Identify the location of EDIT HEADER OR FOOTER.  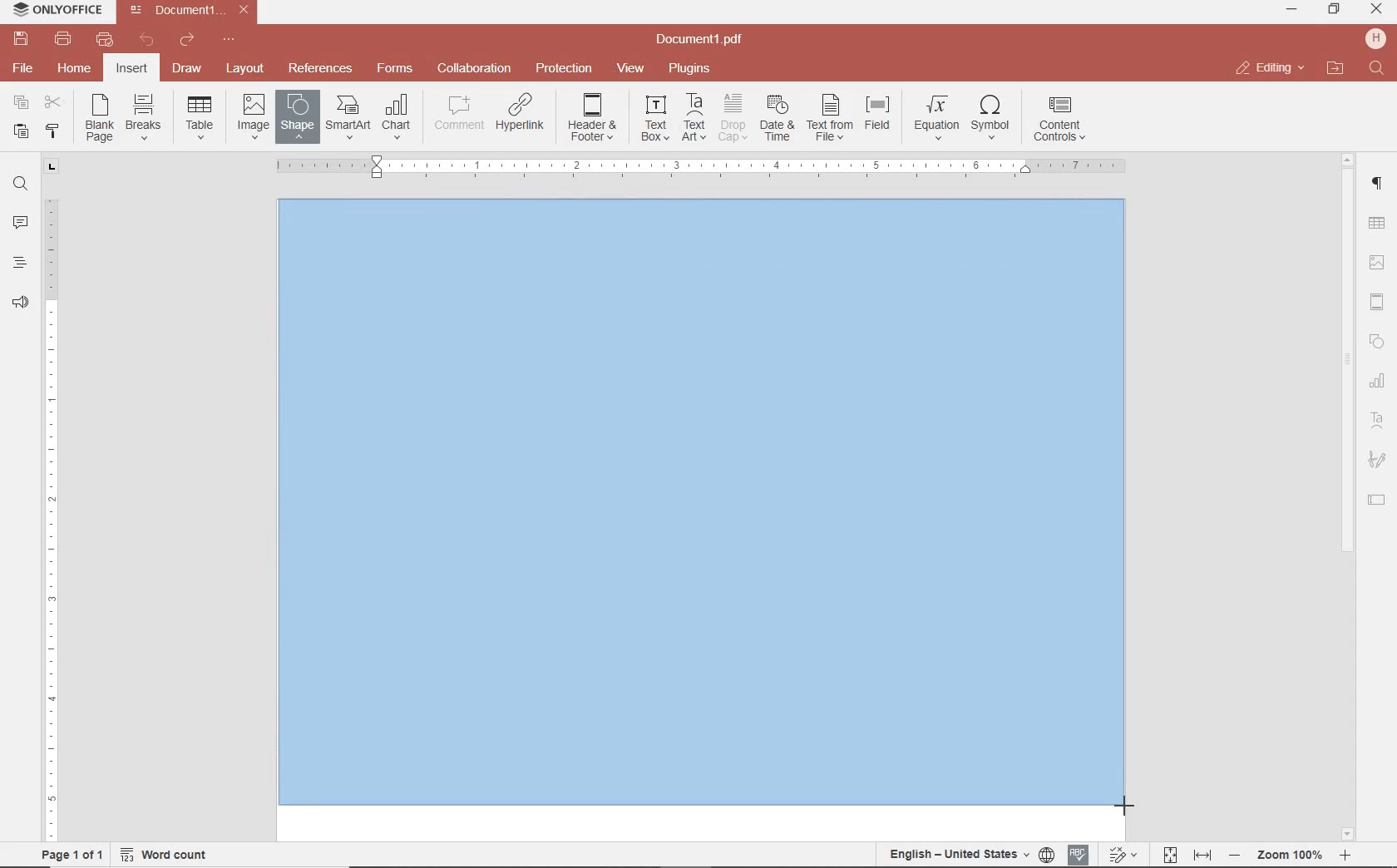
(594, 118).